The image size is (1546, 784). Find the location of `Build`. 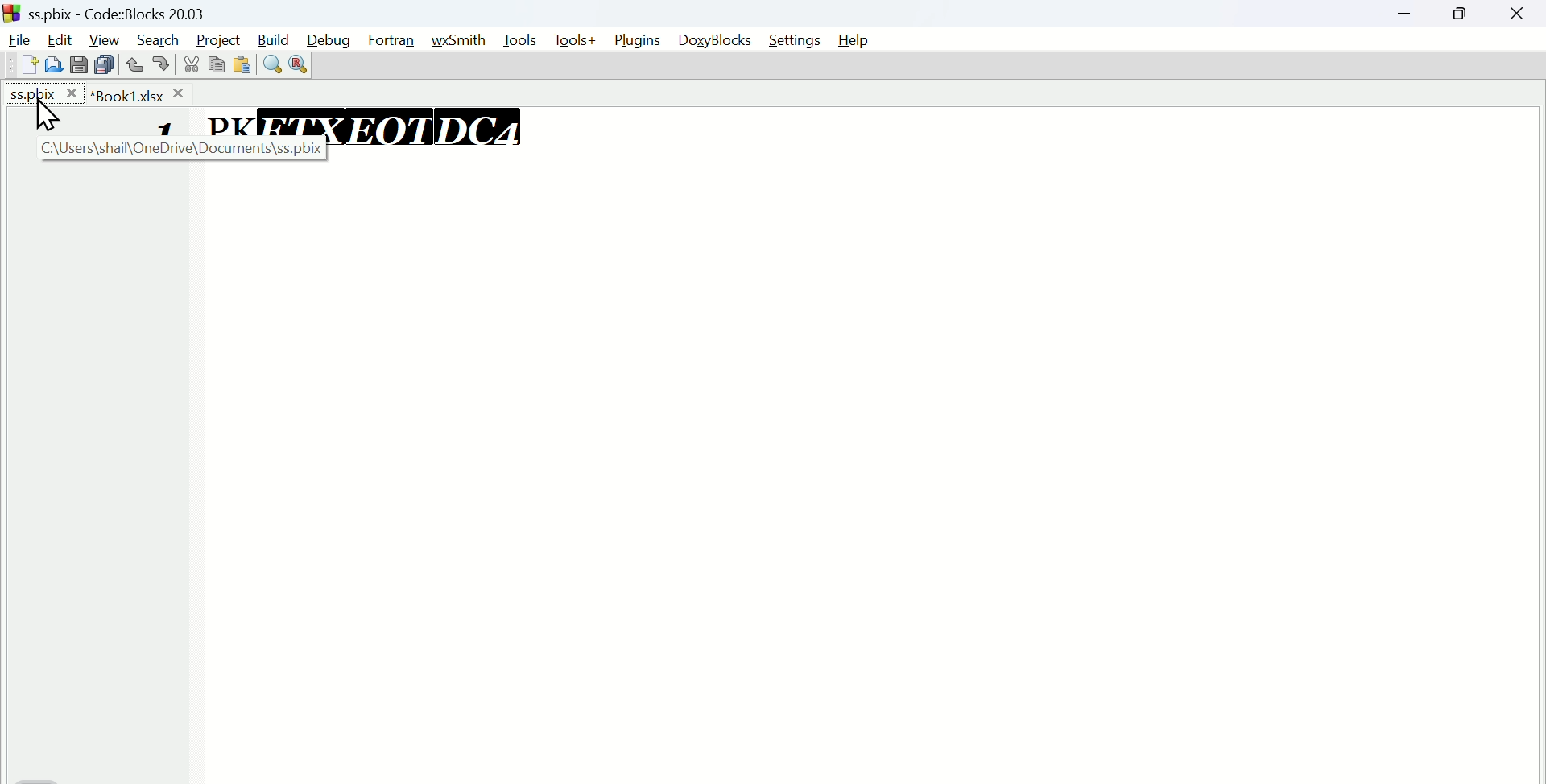

Build is located at coordinates (275, 37).